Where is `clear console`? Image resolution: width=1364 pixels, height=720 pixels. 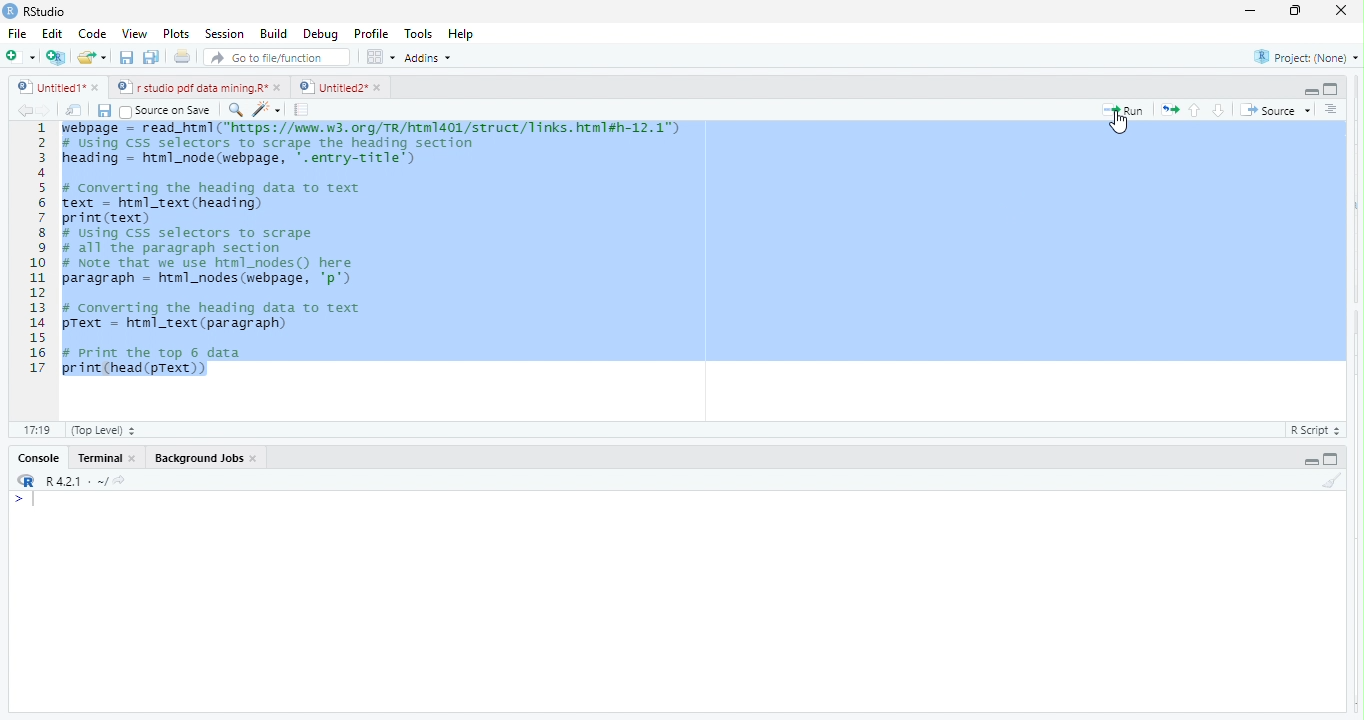 clear console is located at coordinates (1340, 478).